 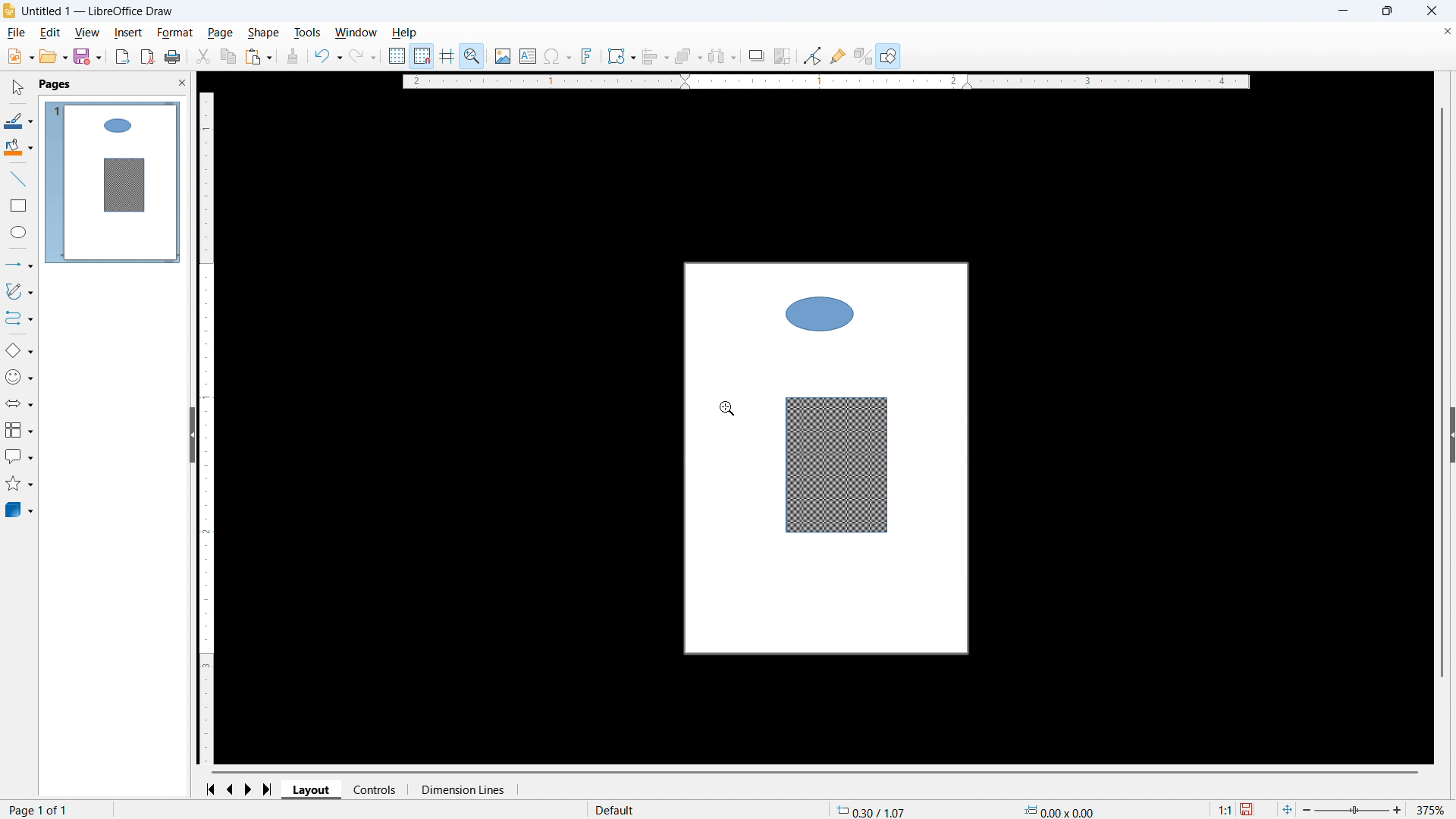 I want to click on Shadow , so click(x=756, y=55).